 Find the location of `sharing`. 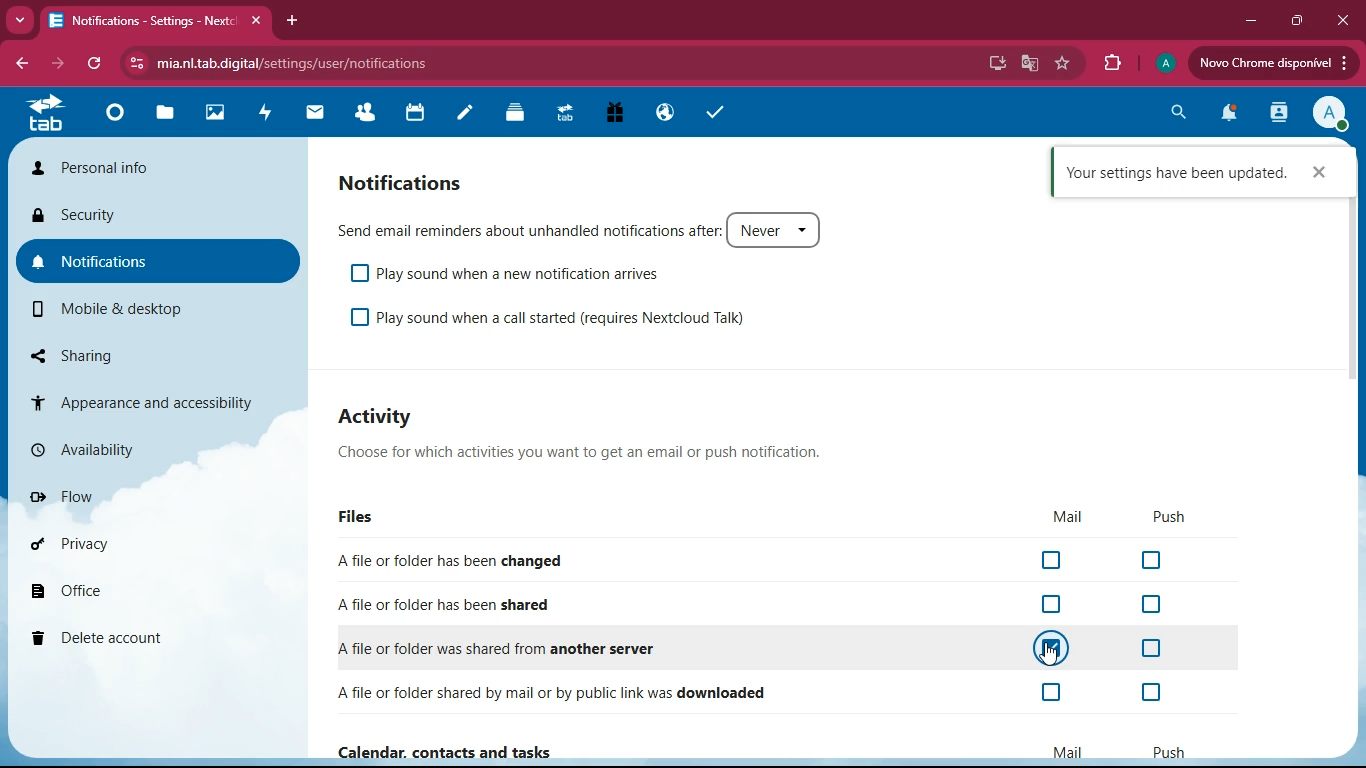

sharing is located at coordinates (133, 354).